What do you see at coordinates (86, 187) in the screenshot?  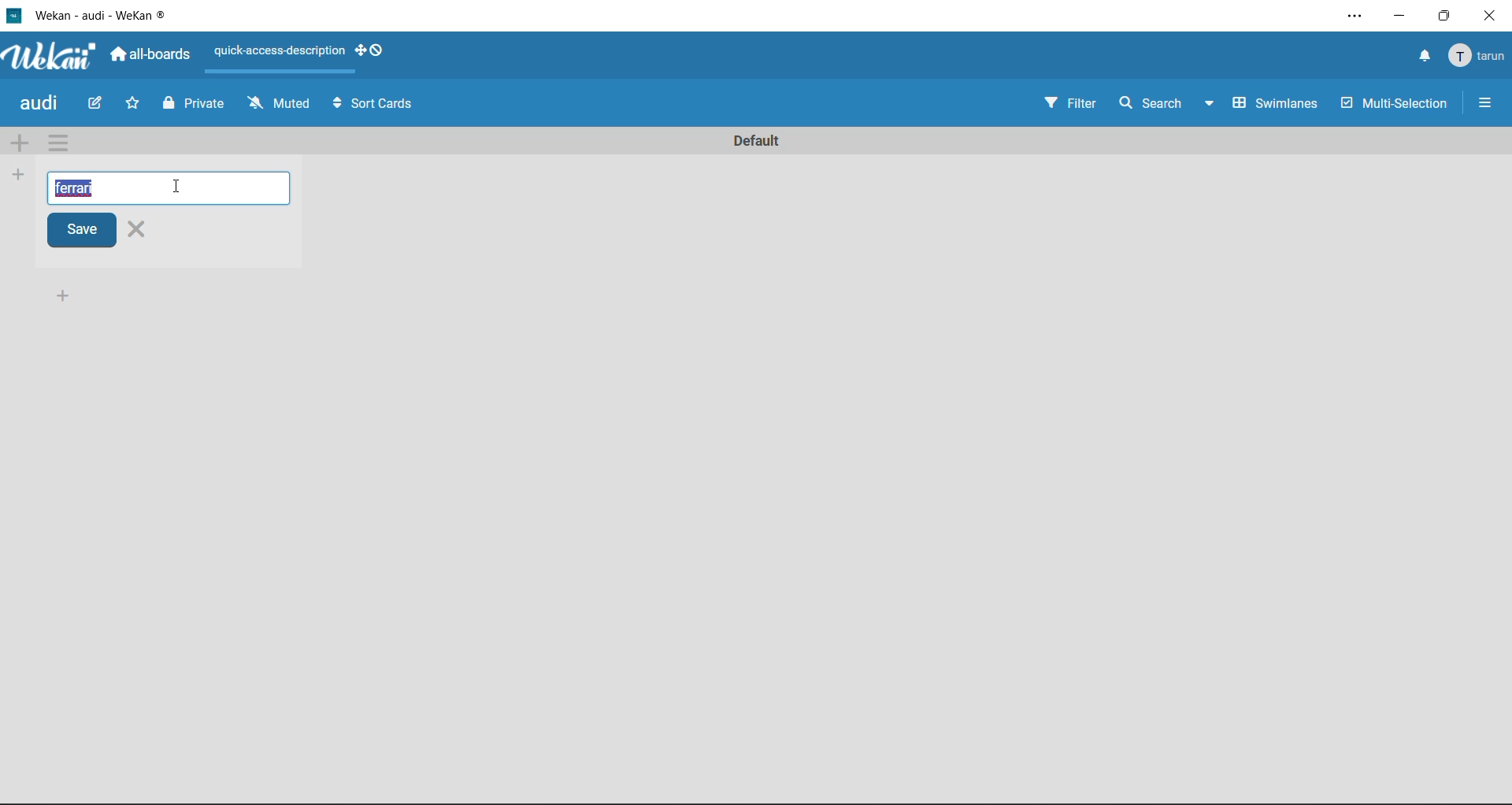 I see `ferrari` at bounding box center [86, 187].